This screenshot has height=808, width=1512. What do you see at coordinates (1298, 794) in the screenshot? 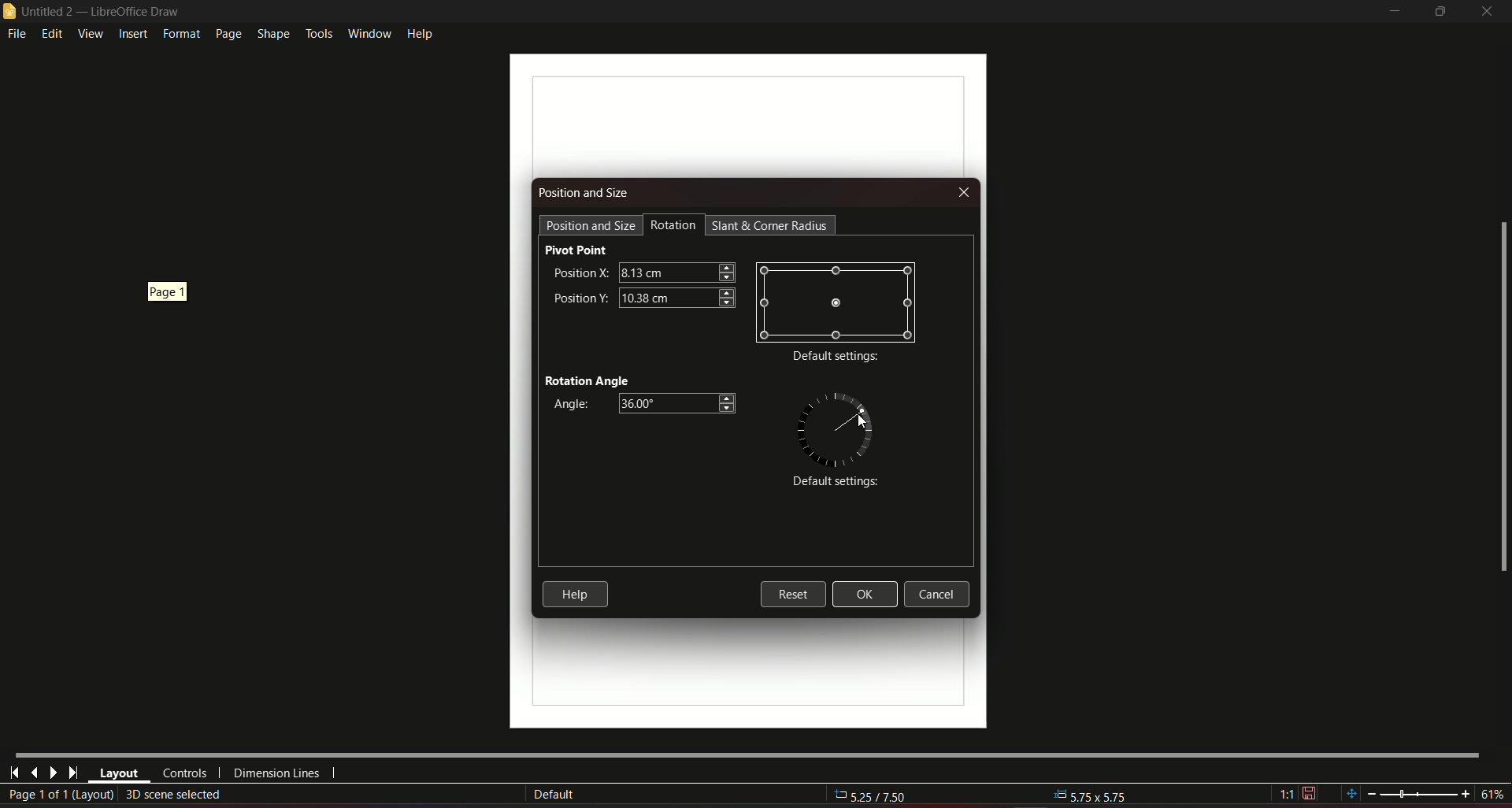
I see `1:1` at bounding box center [1298, 794].